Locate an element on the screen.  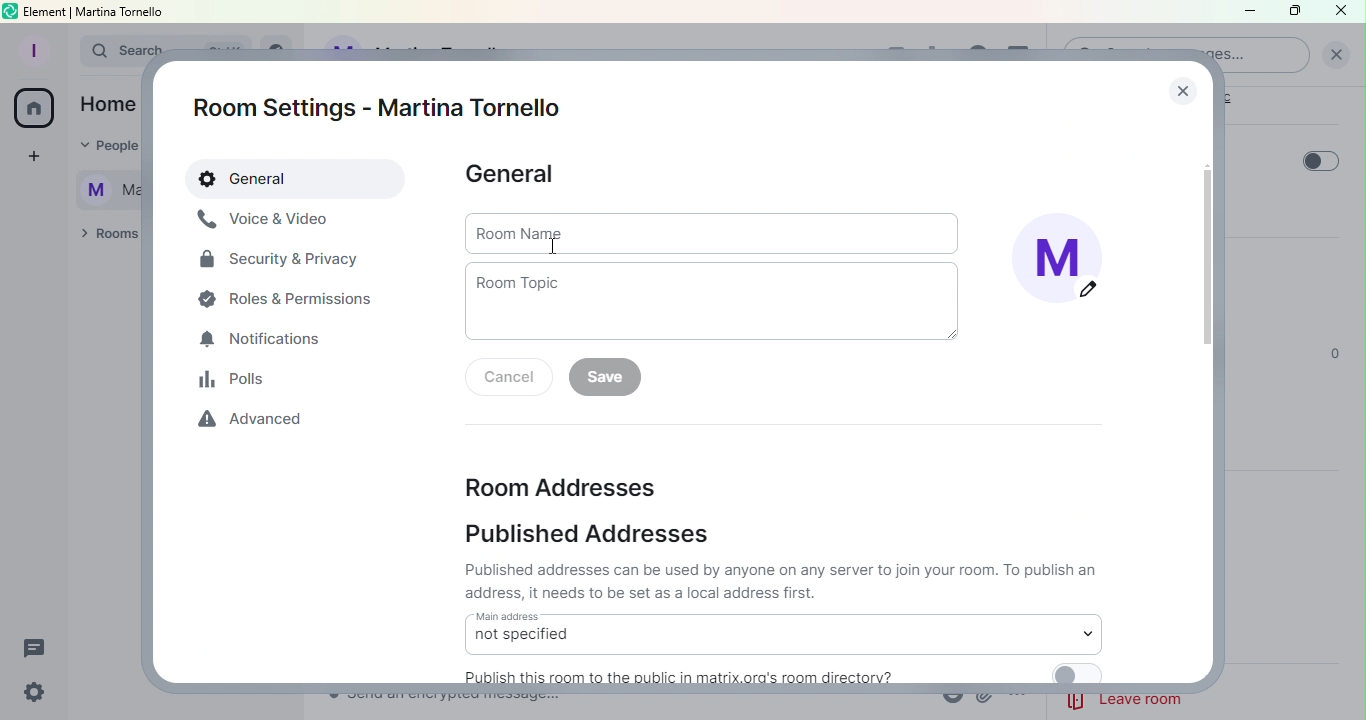
Notification is located at coordinates (263, 341).